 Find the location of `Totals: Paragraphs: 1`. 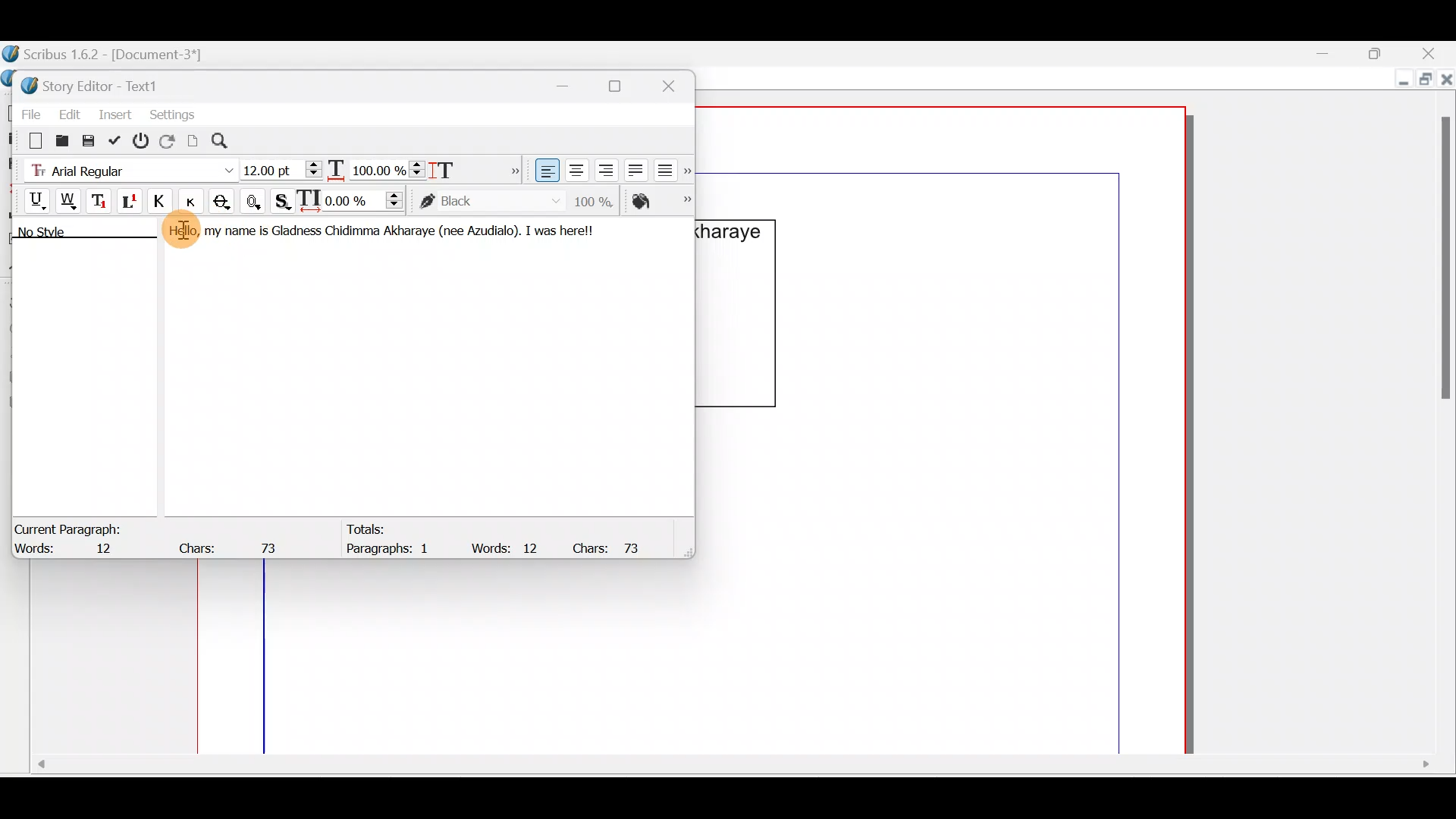

Totals: Paragraphs: 1 is located at coordinates (390, 538).